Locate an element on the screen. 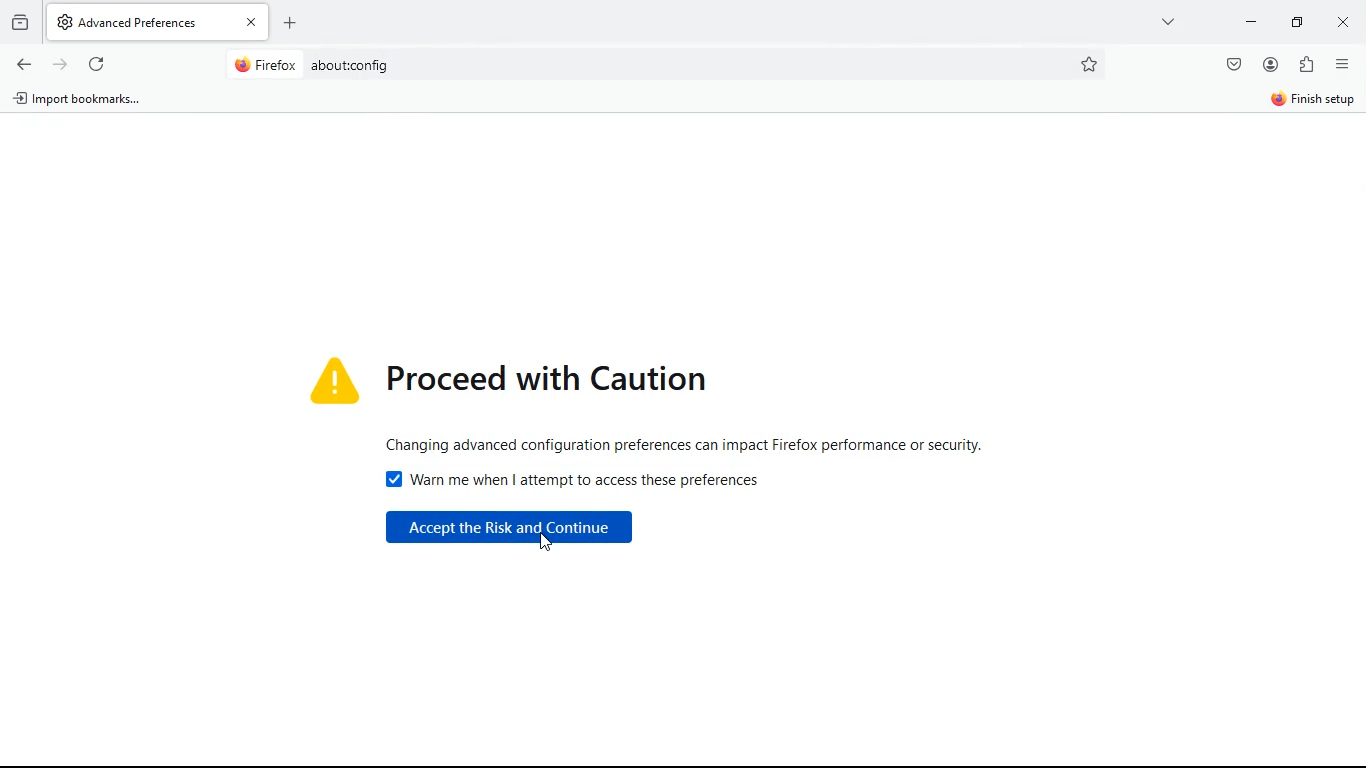  accept is located at coordinates (514, 531).